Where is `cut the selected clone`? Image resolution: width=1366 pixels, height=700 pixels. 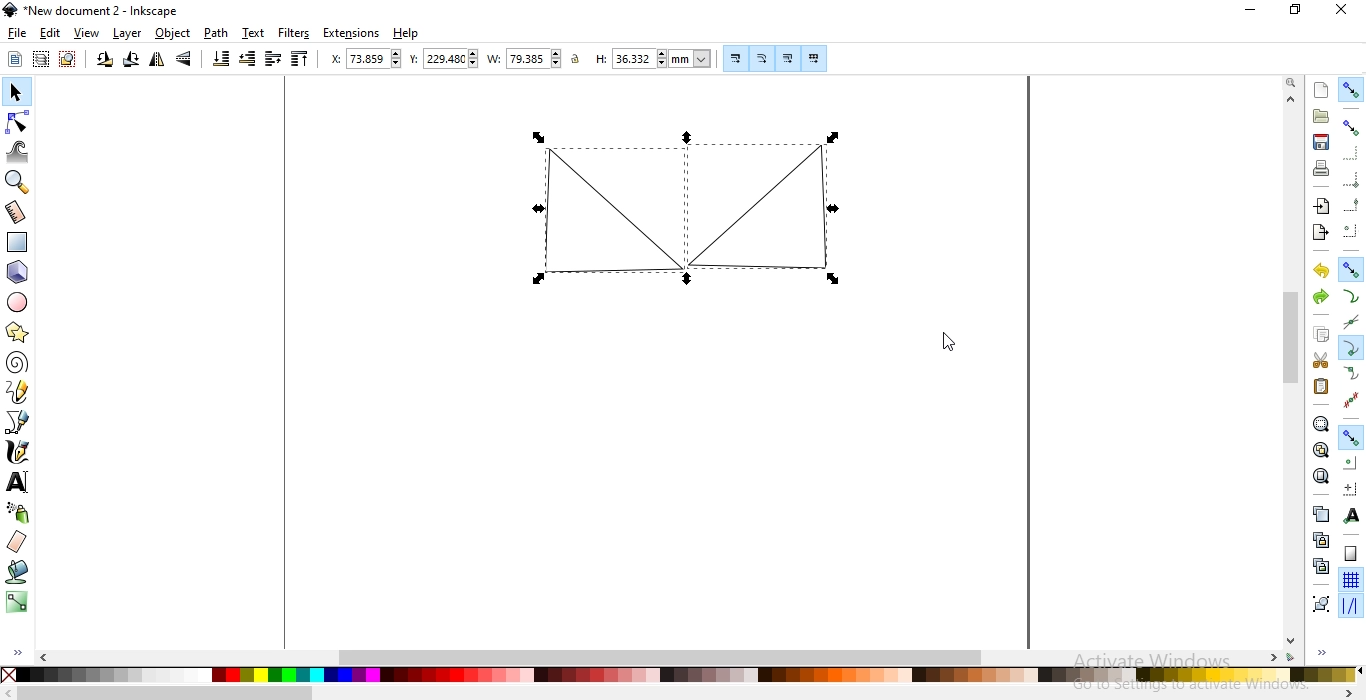 cut the selected clone is located at coordinates (1319, 565).